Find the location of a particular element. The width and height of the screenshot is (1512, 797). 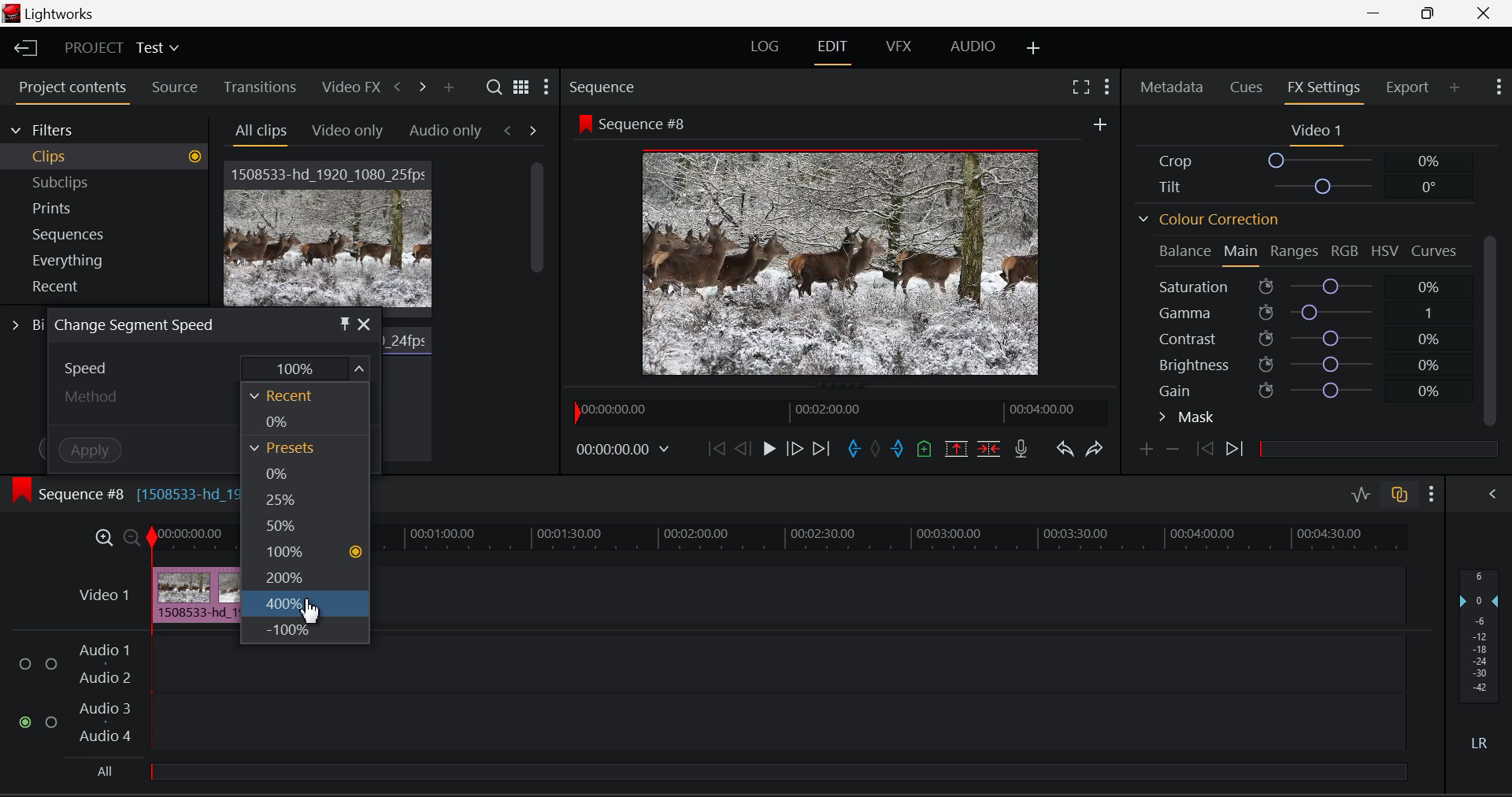

Speed Dropdown is located at coordinates (94, 367).